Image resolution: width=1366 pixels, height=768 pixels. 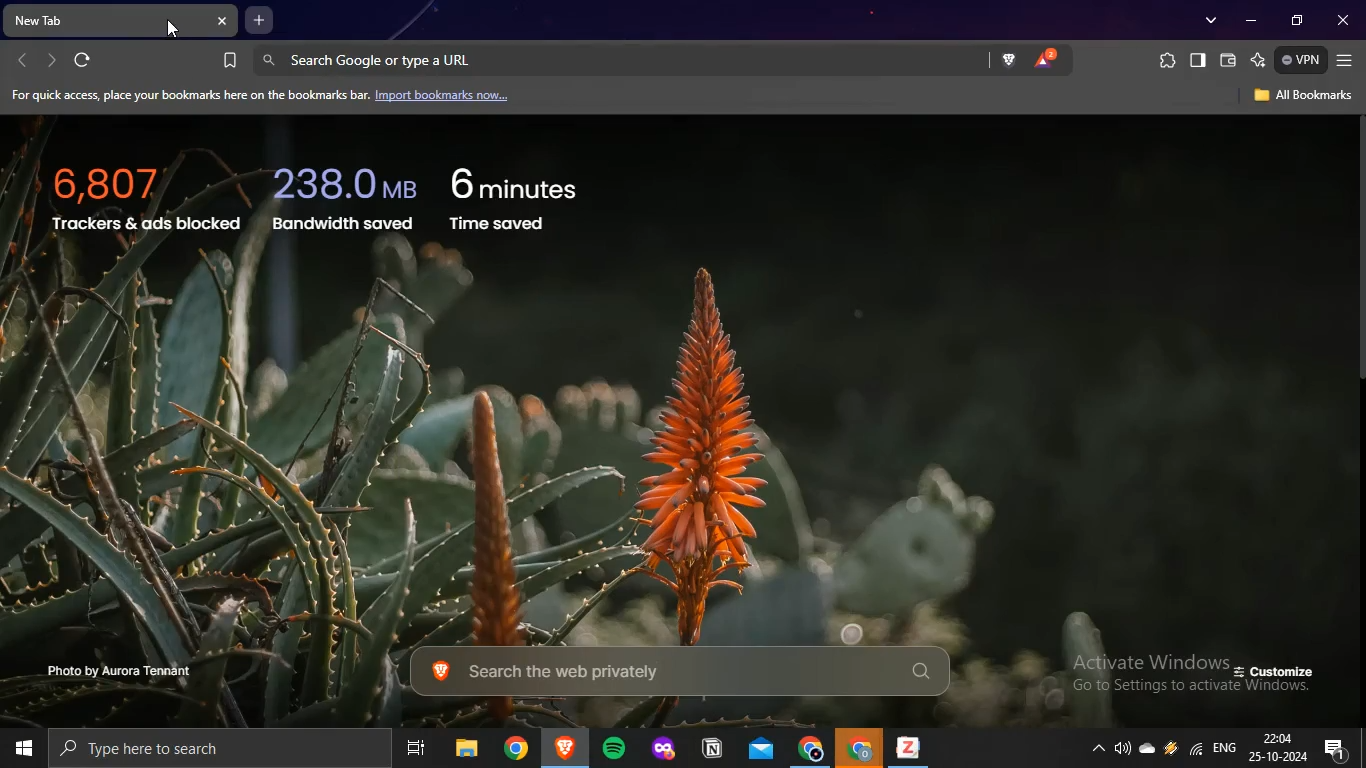 What do you see at coordinates (671, 673) in the screenshot?
I see `search the web privately` at bounding box center [671, 673].